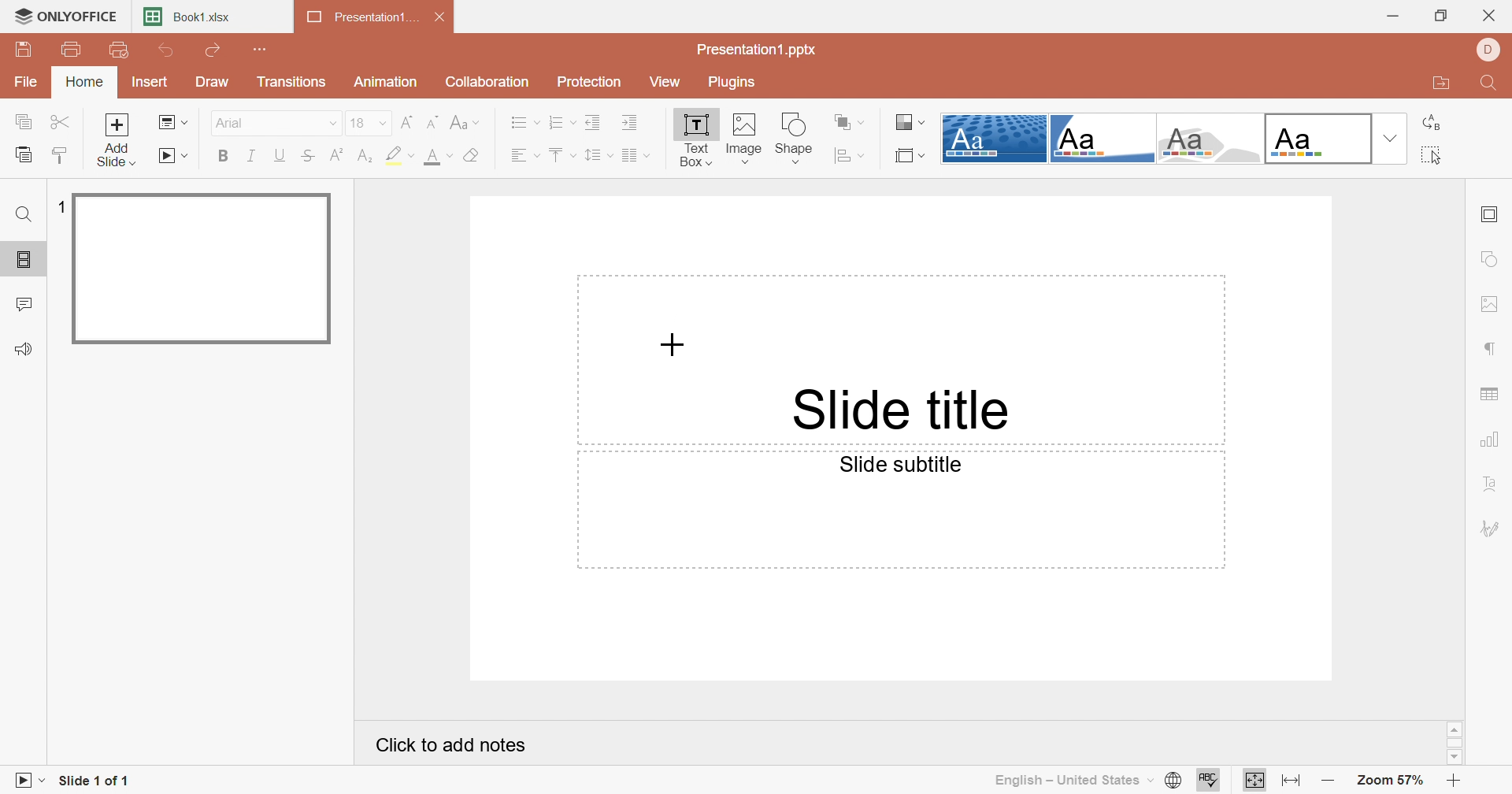 Image resolution: width=1512 pixels, height=794 pixels. What do you see at coordinates (901, 466) in the screenshot?
I see `Slide subtitle` at bounding box center [901, 466].